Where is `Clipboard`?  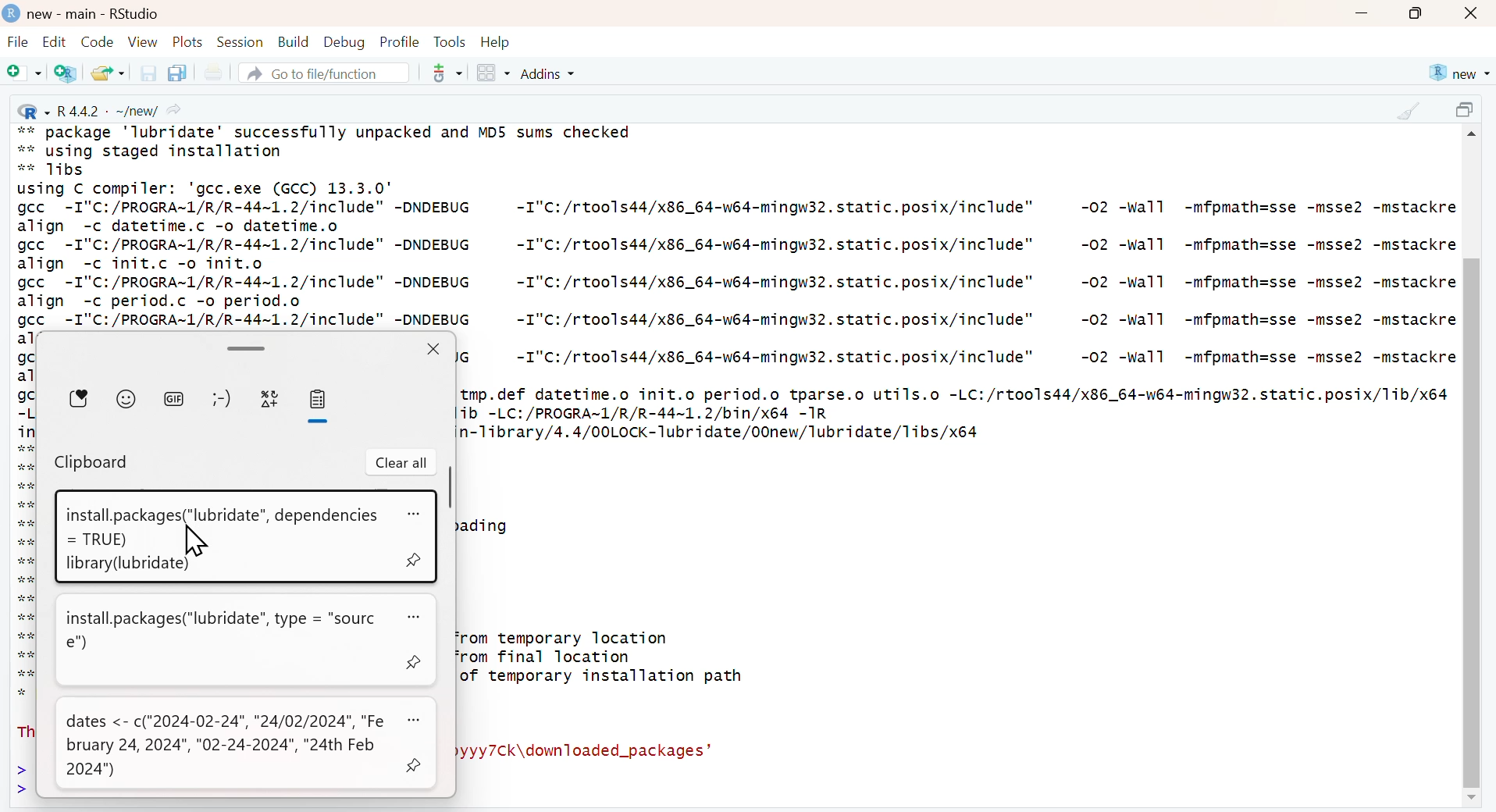
Clipboard is located at coordinates (93, 464).